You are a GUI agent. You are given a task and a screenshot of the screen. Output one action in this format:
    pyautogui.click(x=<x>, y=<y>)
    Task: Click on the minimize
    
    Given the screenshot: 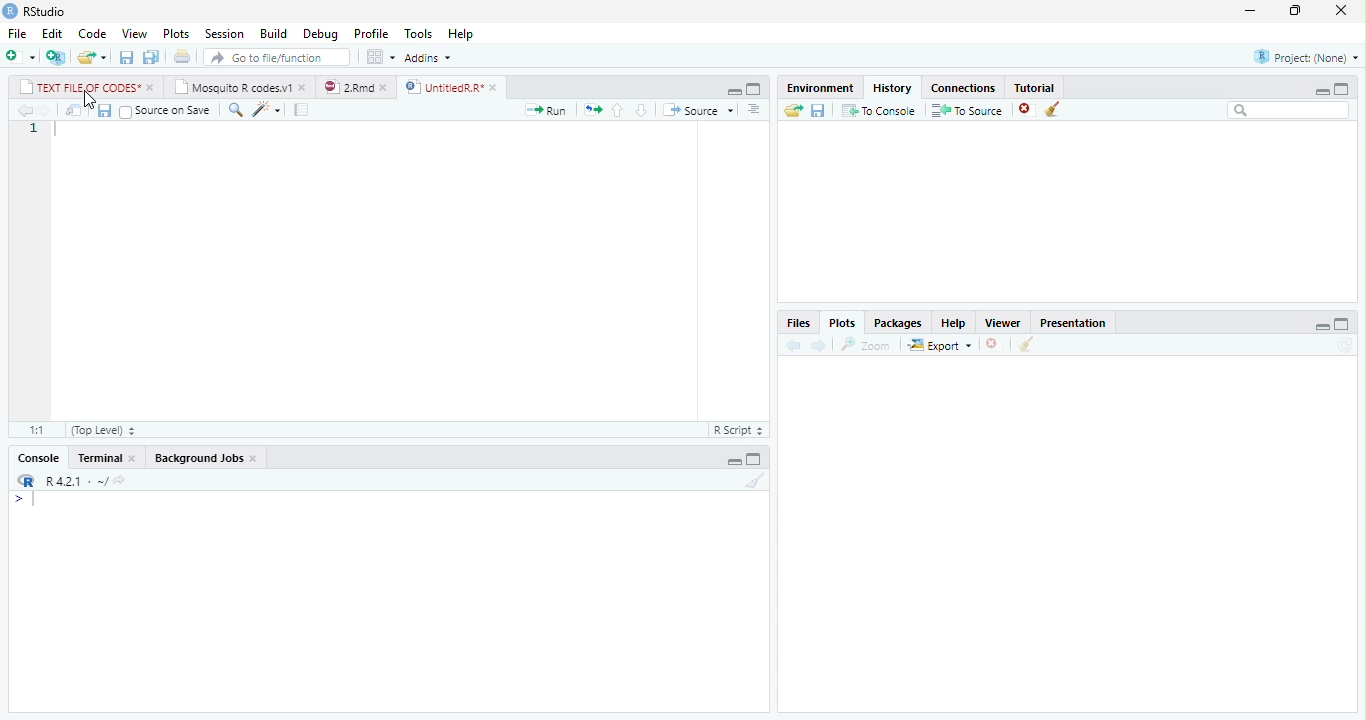 What is the action you would take?
    pyautogui.click(x=1323, y=327)
    